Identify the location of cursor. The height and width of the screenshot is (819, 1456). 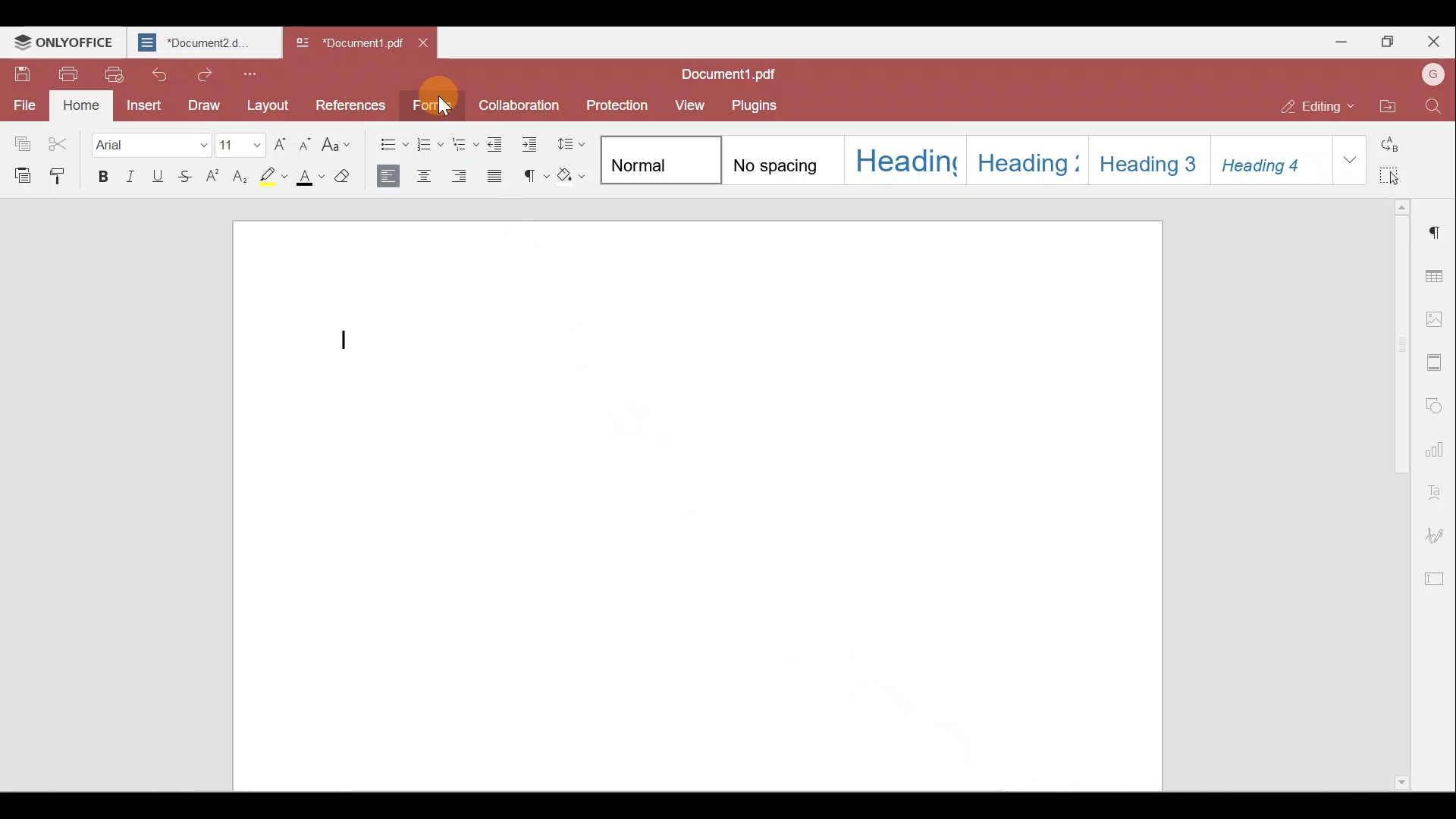
(445, 108).